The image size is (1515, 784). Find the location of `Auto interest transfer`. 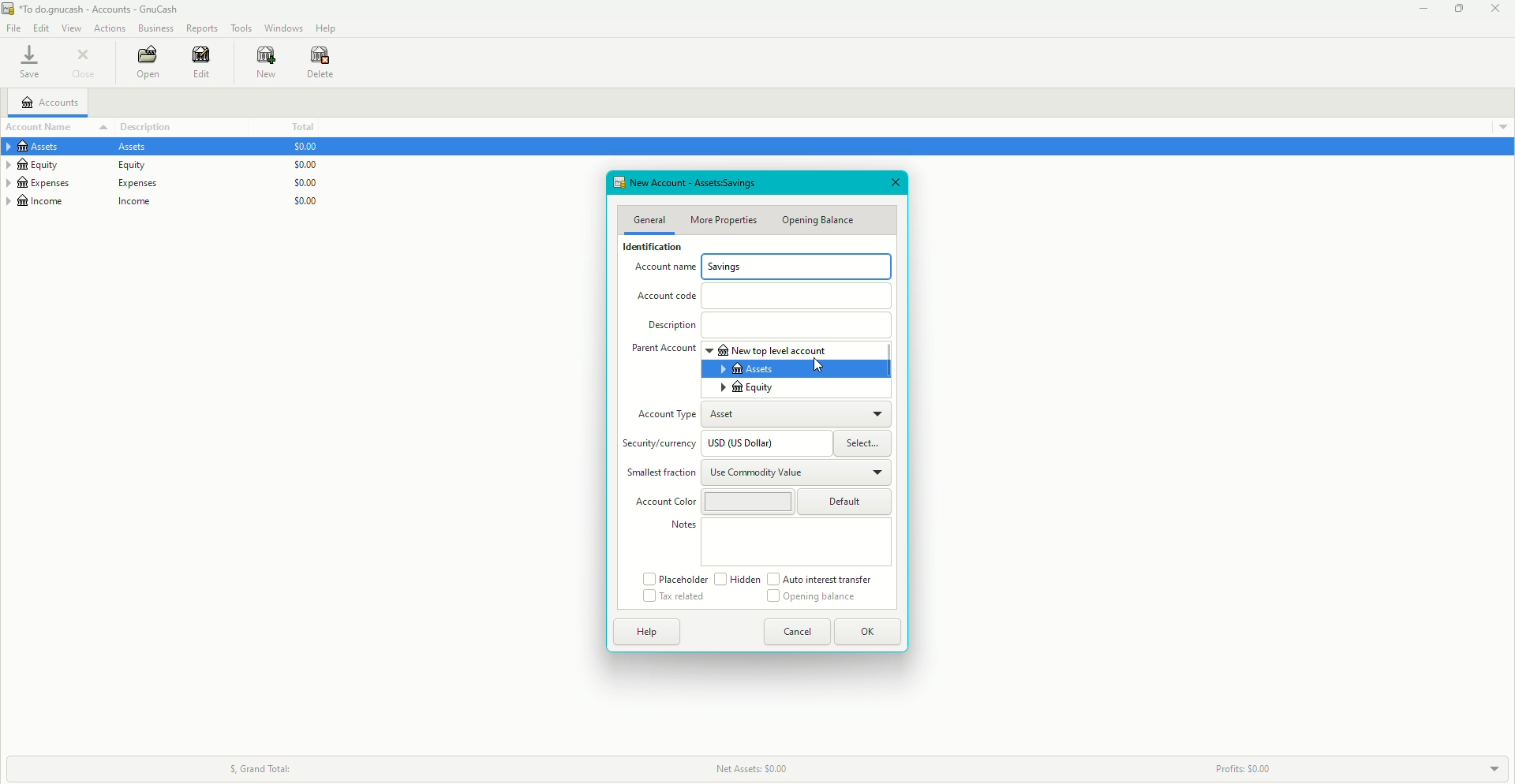

Auto interest transfer is located at coordinates (823, 579).